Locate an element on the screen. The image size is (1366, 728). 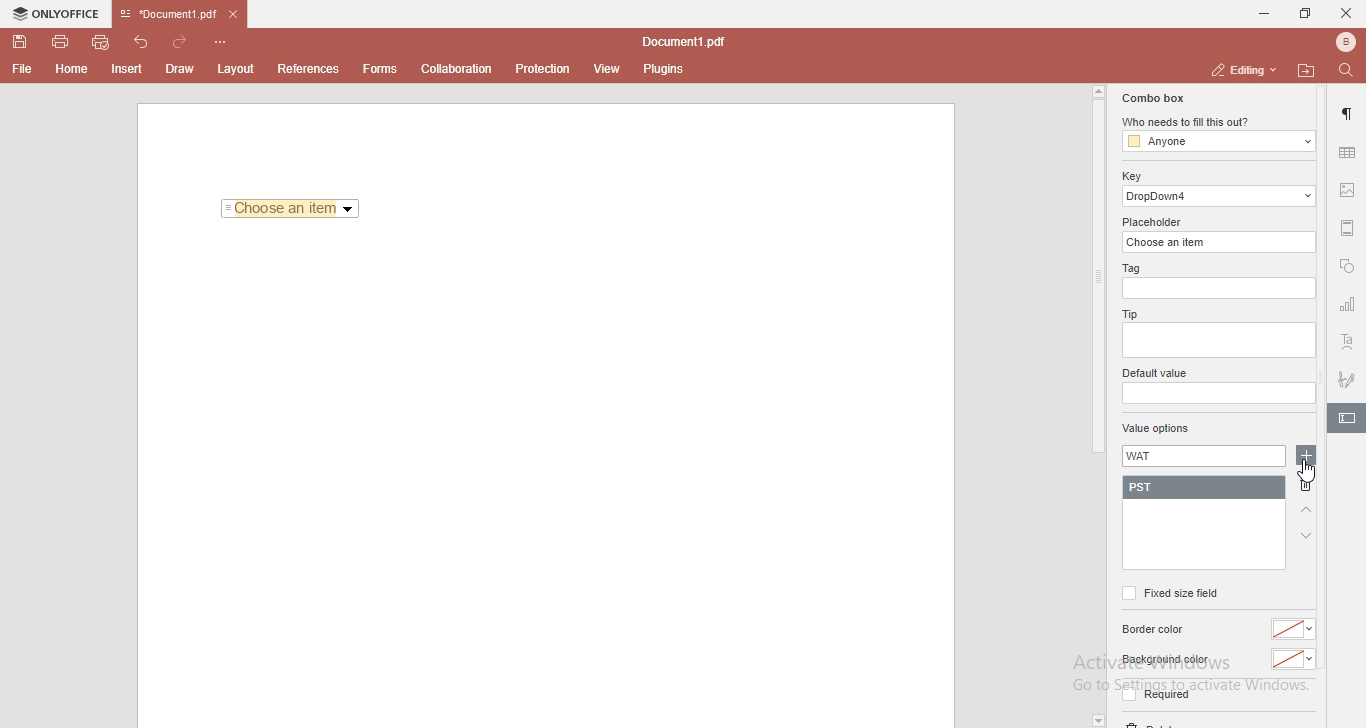
empty box is located at coordinates (1221, 289).